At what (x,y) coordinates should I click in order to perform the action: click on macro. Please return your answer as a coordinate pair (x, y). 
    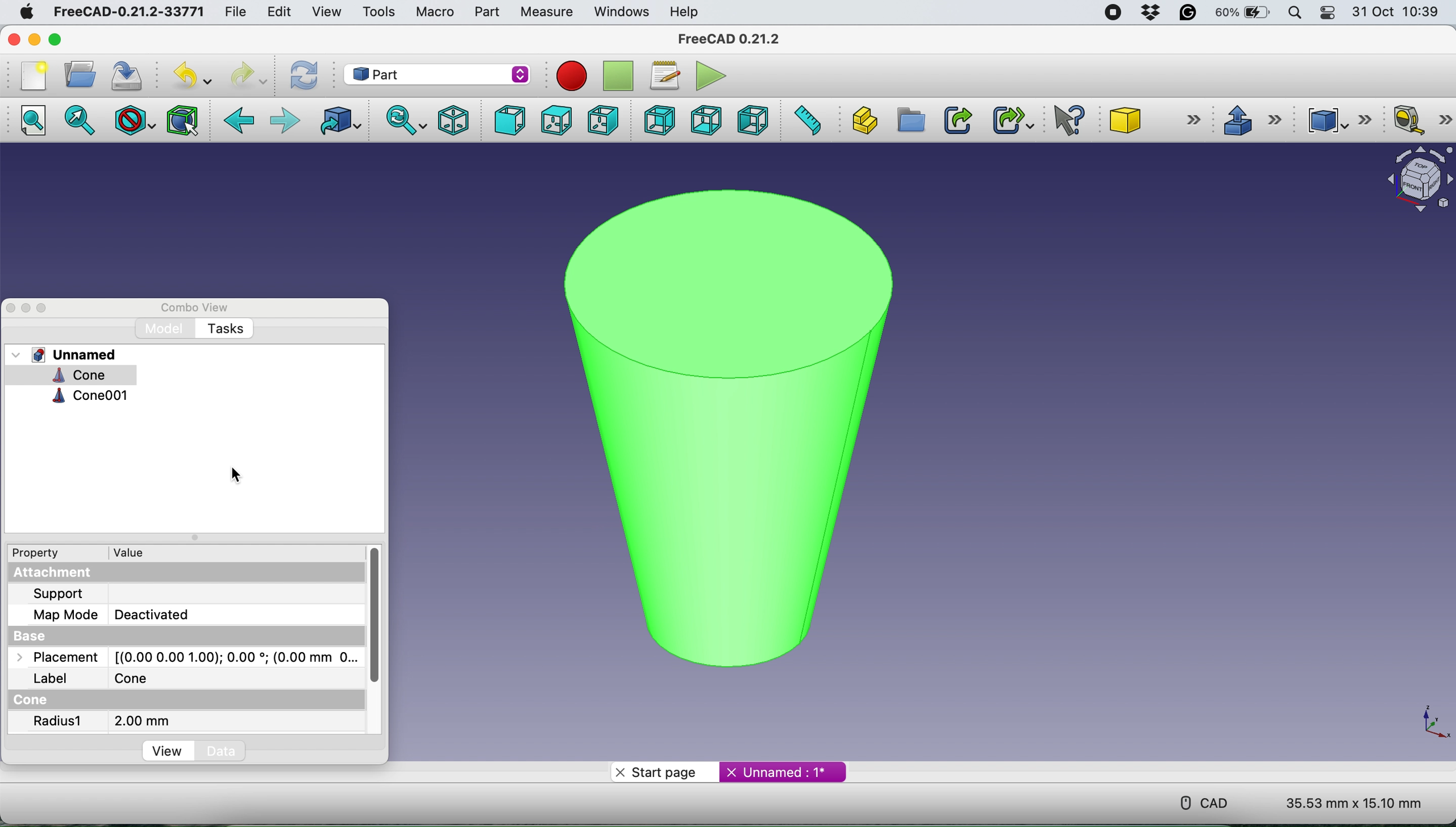
    Looking at the image, I should click on (434, 11).